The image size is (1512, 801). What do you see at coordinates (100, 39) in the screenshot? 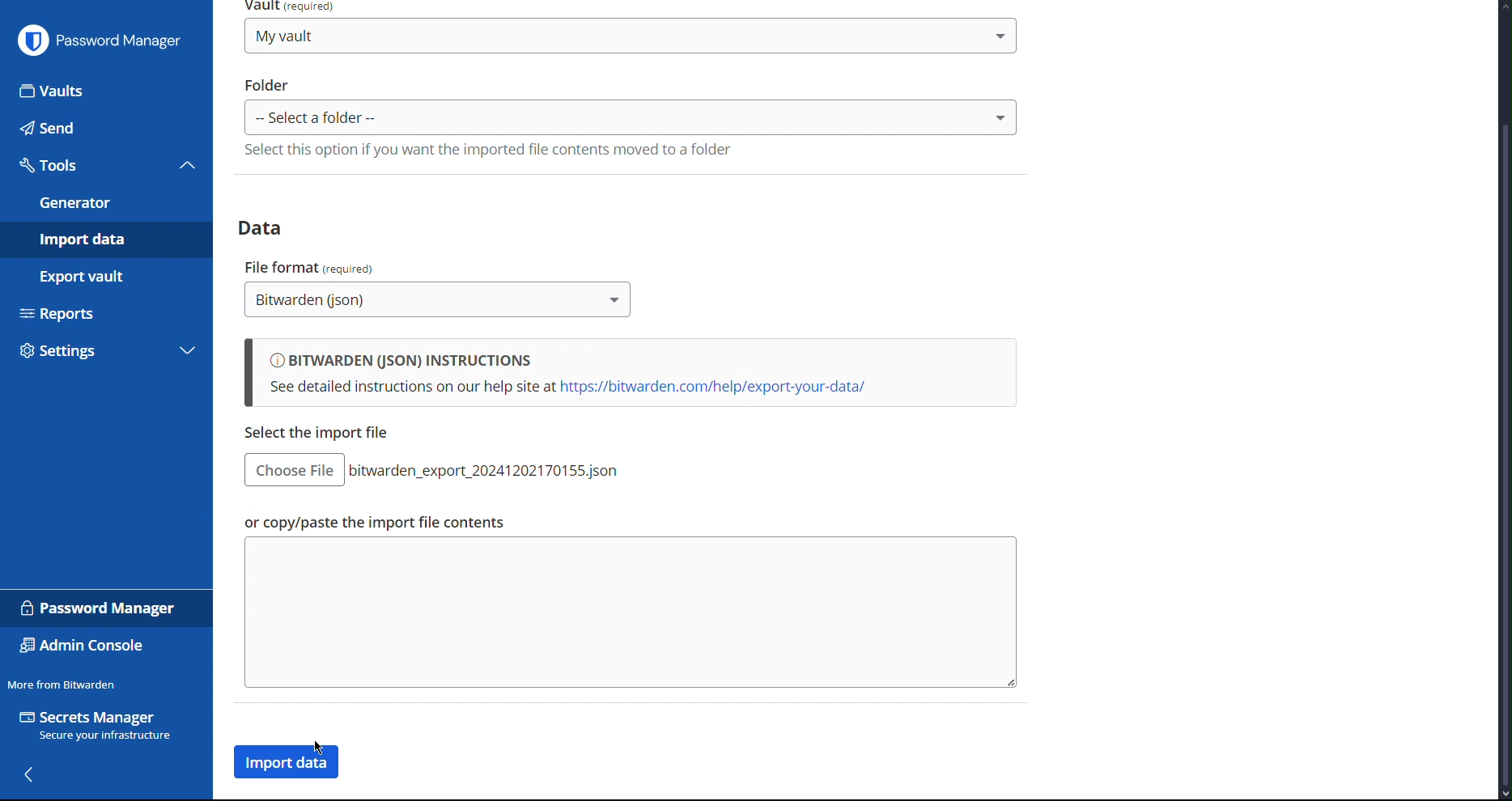
I see `Password Manager` at bounding box center [100, 39].